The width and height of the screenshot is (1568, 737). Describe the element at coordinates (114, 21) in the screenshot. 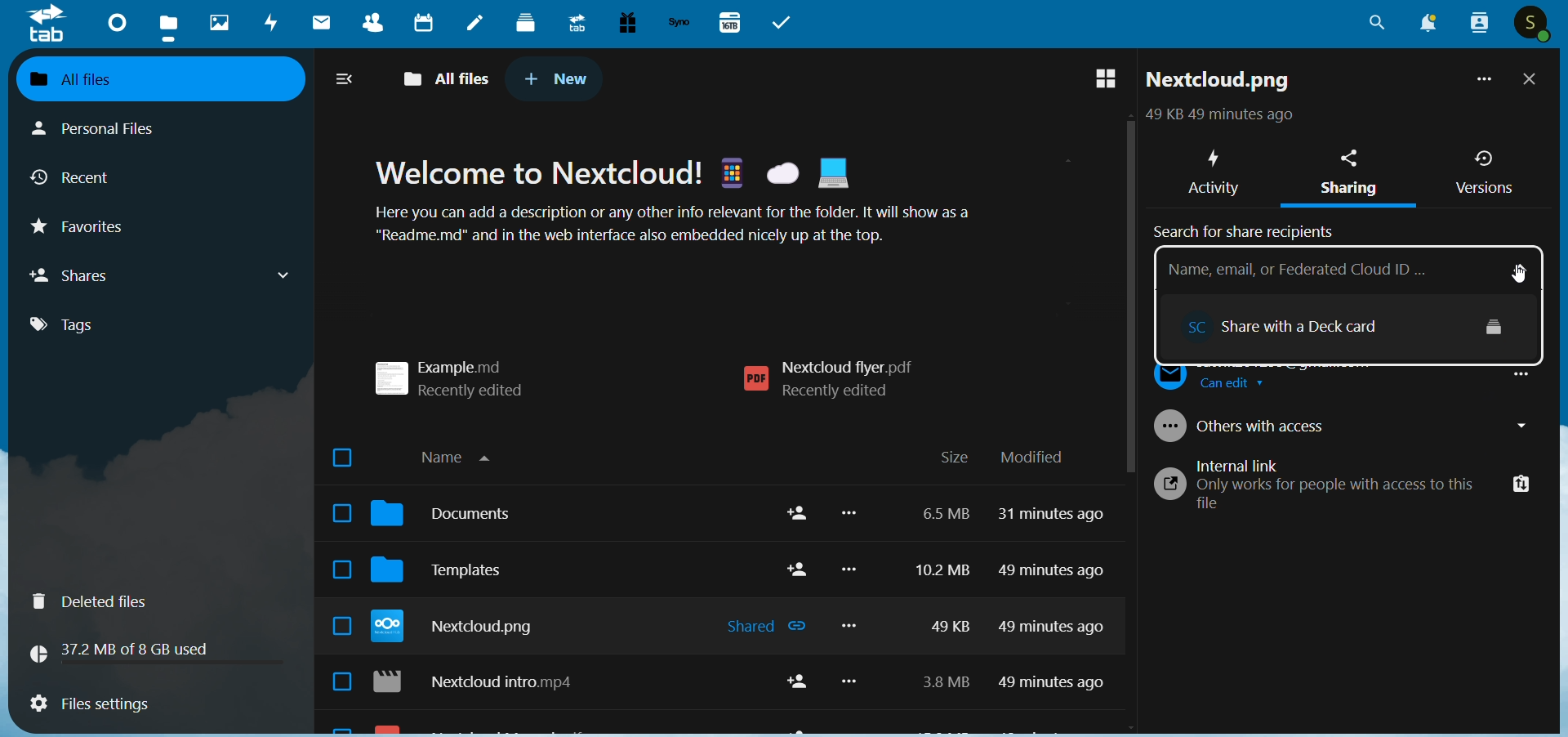

I see `dashboard` at that location.